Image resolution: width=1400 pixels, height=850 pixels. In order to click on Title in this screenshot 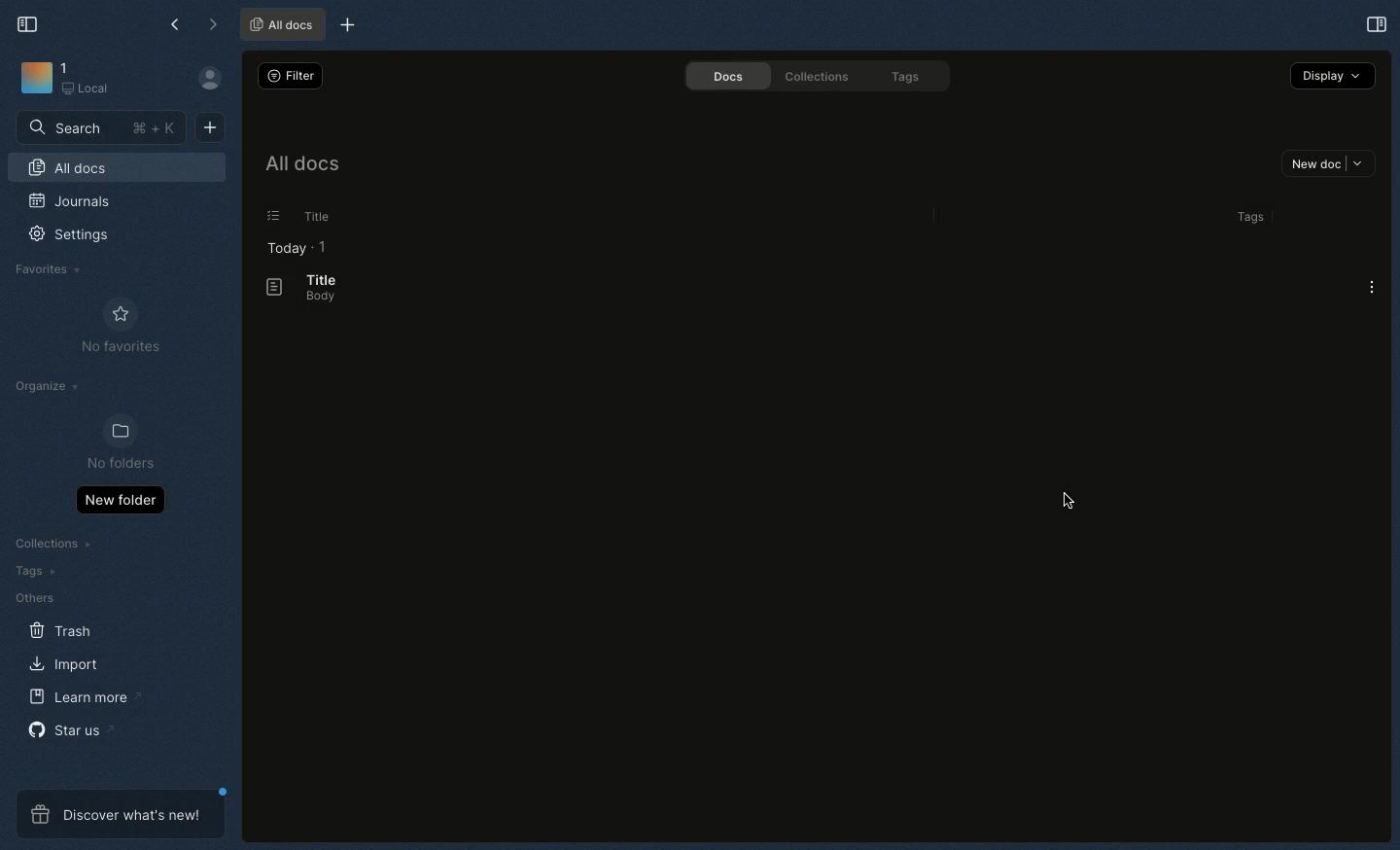, I will do `click(319, 279)`.